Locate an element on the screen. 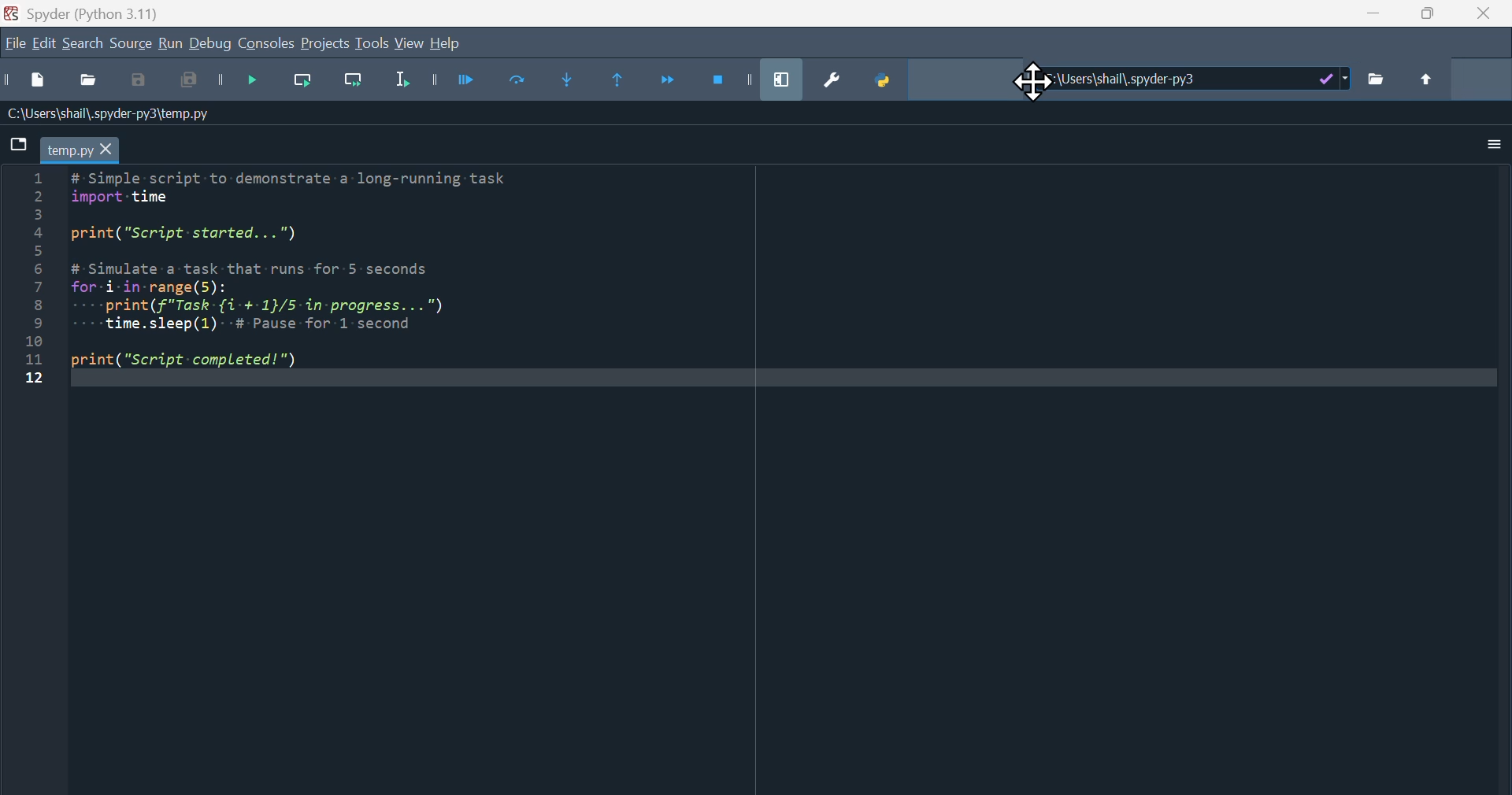  Filename is located at coordinates (79, 148).